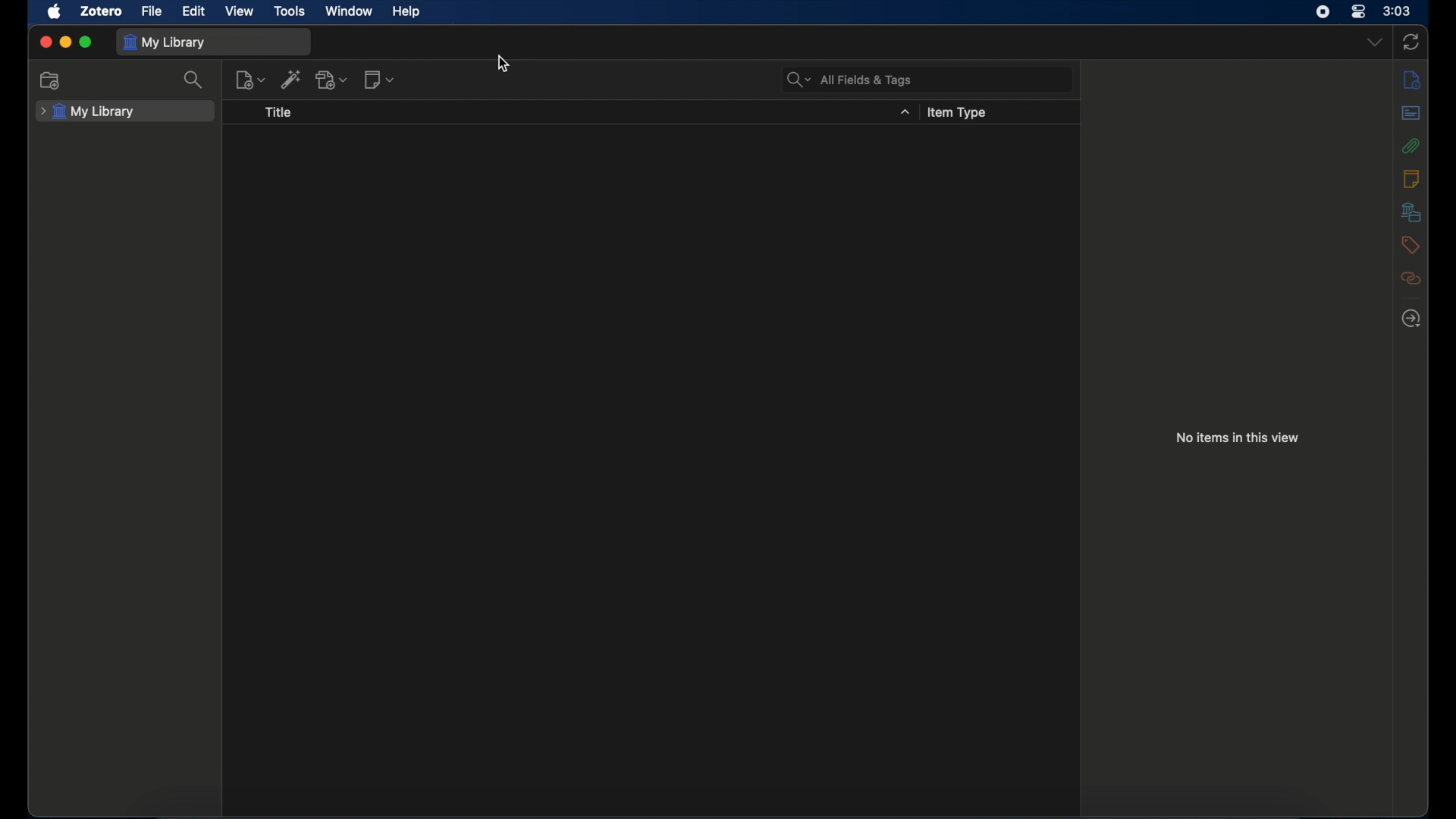 Image resolution: width=1456 pixels, height=819 pixels. Describe the element at coordinates (381, 80) in the screenshot. I see `new notes` at that location.